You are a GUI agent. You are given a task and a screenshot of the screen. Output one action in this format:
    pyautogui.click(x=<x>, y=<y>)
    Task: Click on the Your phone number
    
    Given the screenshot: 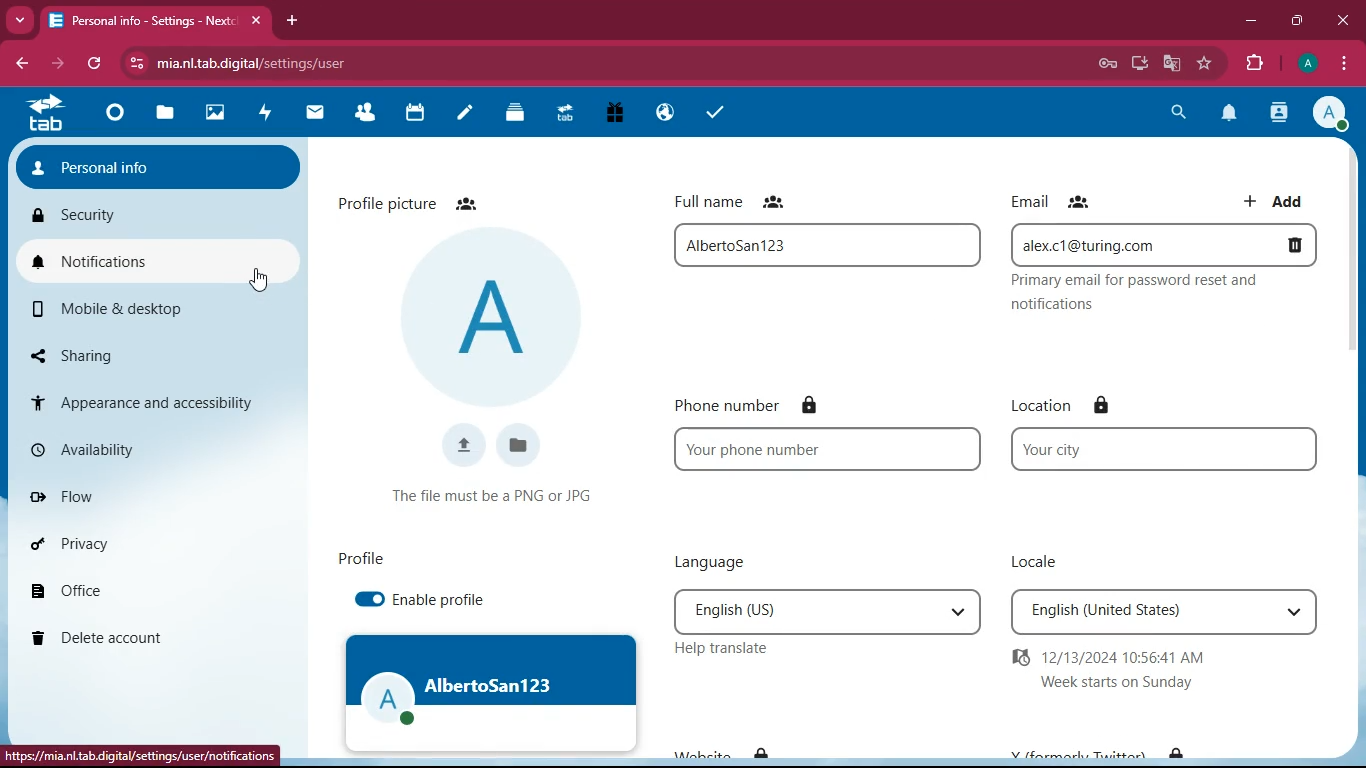 What is the action you would take?
    pyautogui.click(x=828, y=447)
    